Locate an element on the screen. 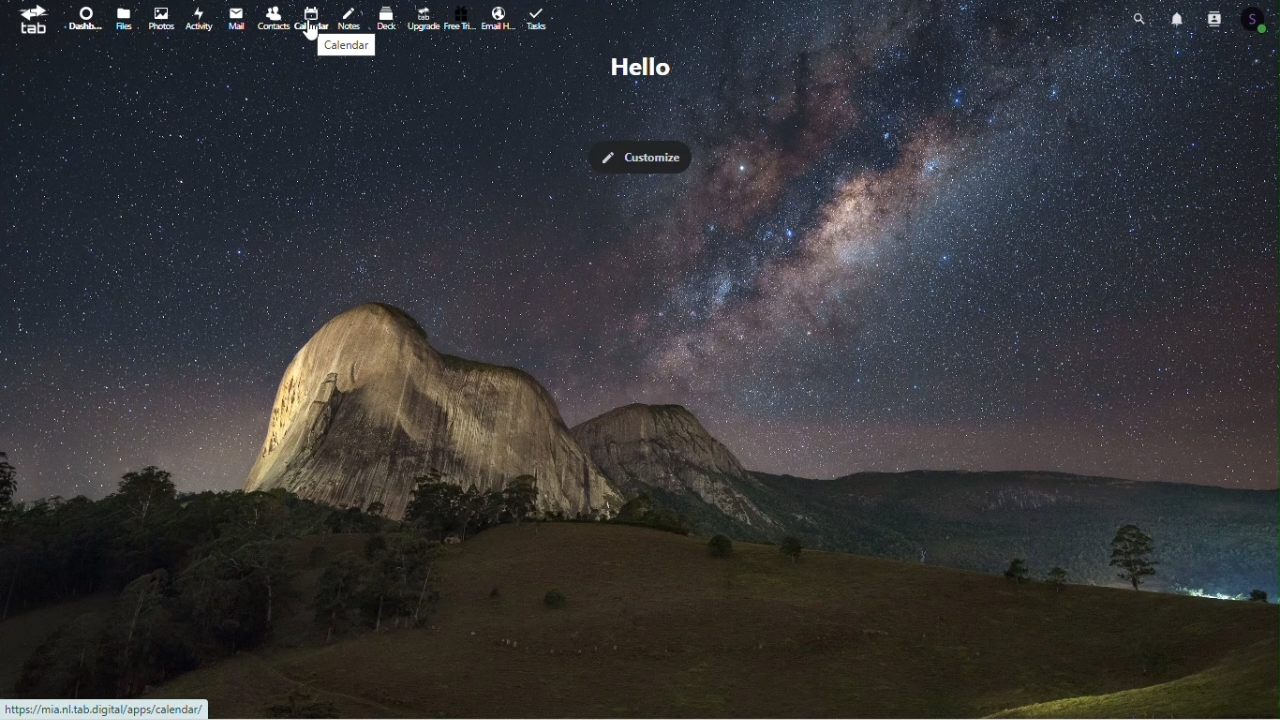  Email hosting is located at coordinates (499, 15).